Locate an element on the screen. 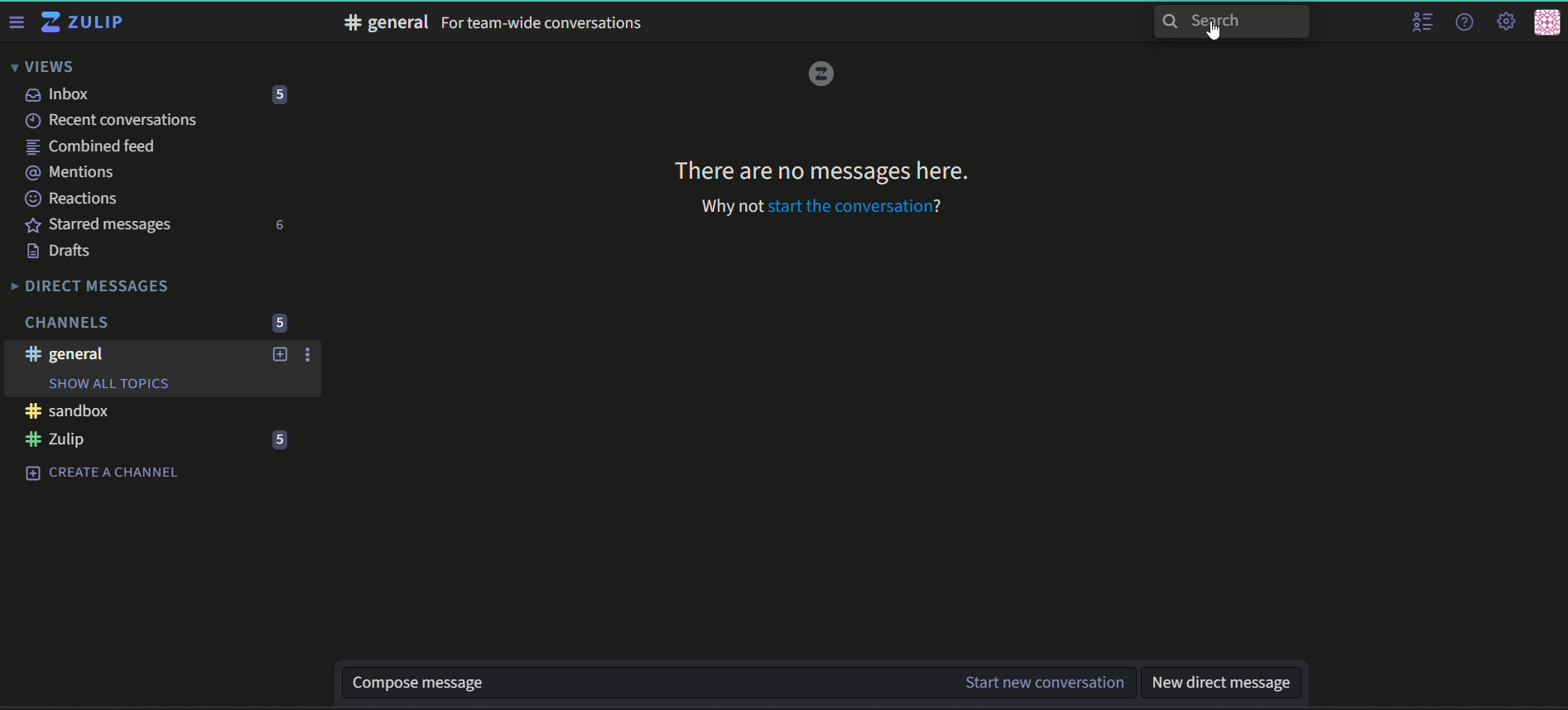 The height and width of the screenshot is (710, 1568). help menu is located at coordinates (1467, 21).